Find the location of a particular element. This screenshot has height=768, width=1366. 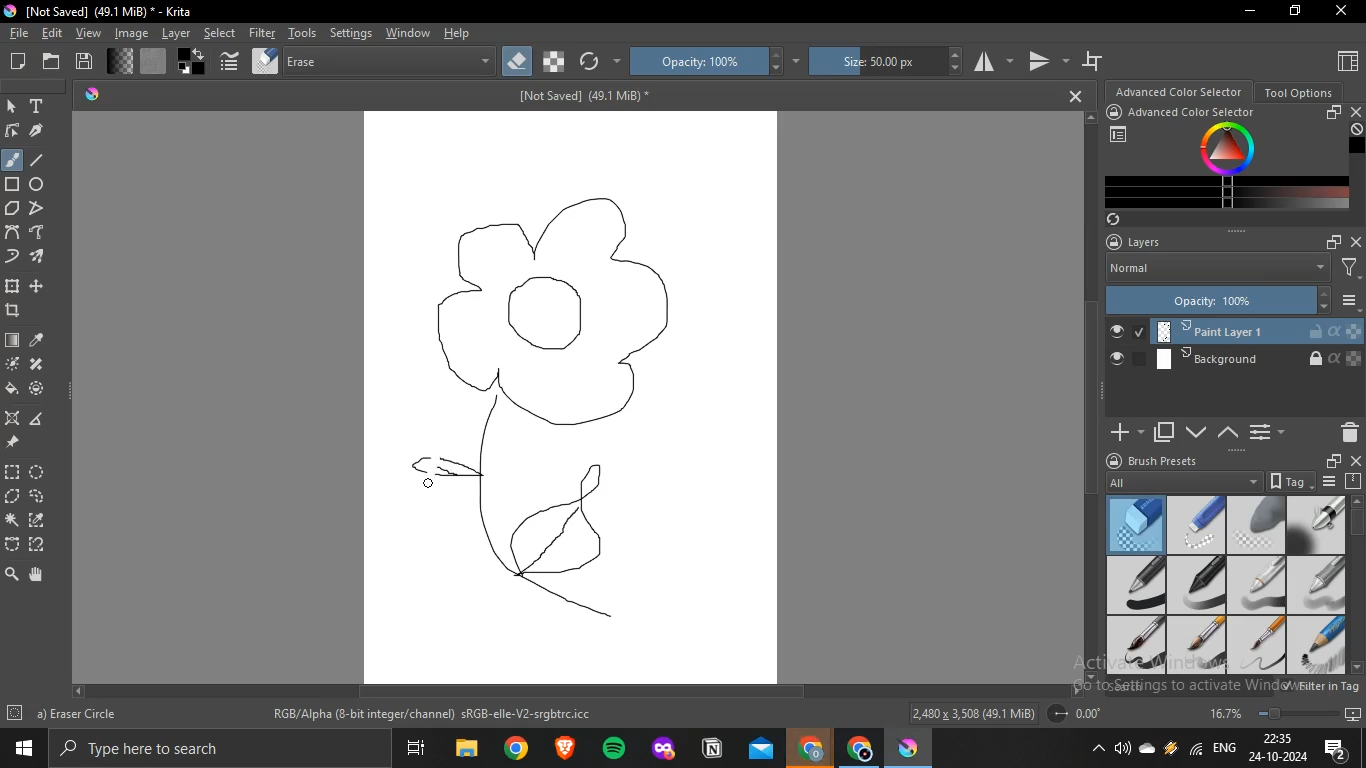

Filters is located at coordinates (1351, 269).